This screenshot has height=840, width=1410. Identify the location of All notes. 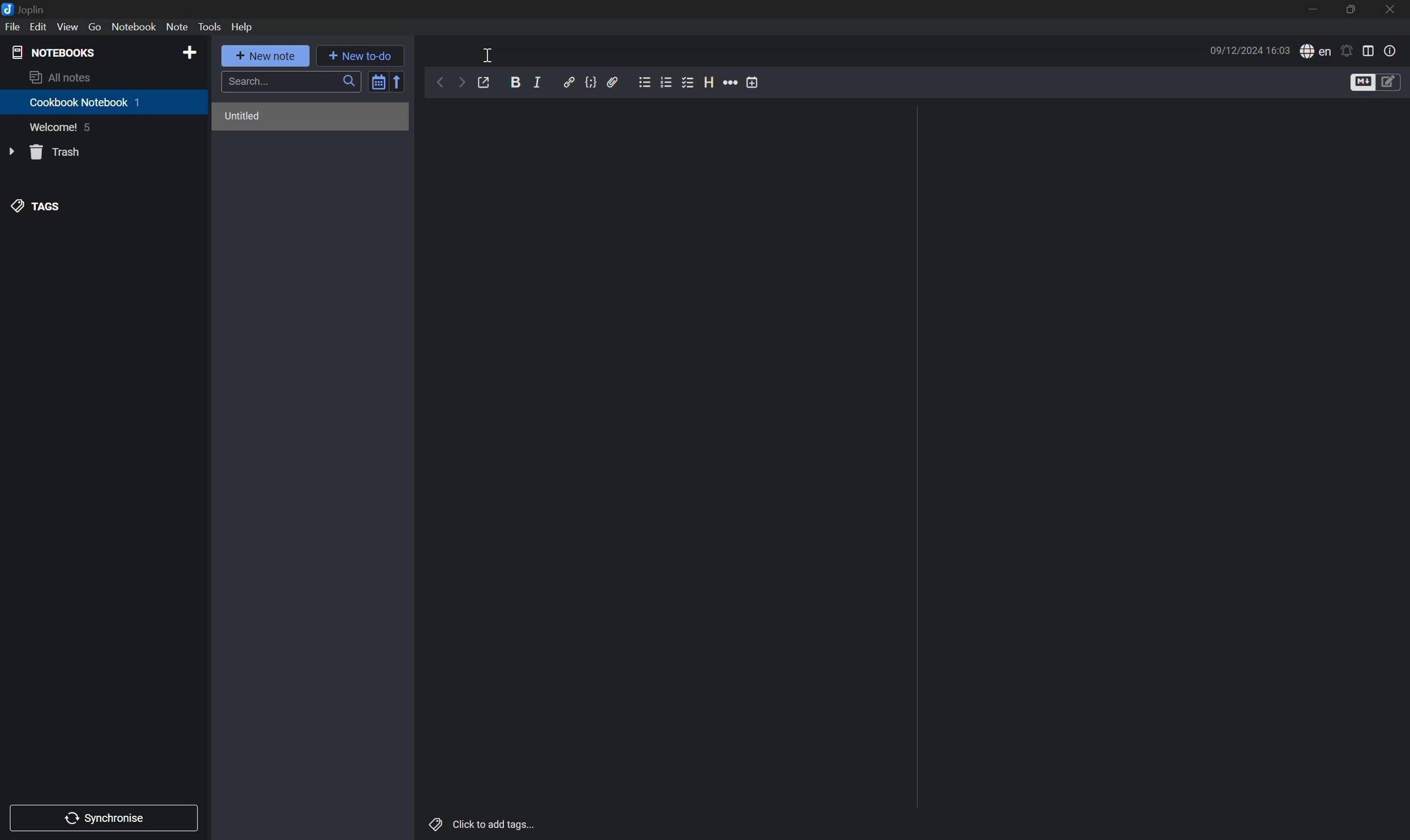
(60, 78).